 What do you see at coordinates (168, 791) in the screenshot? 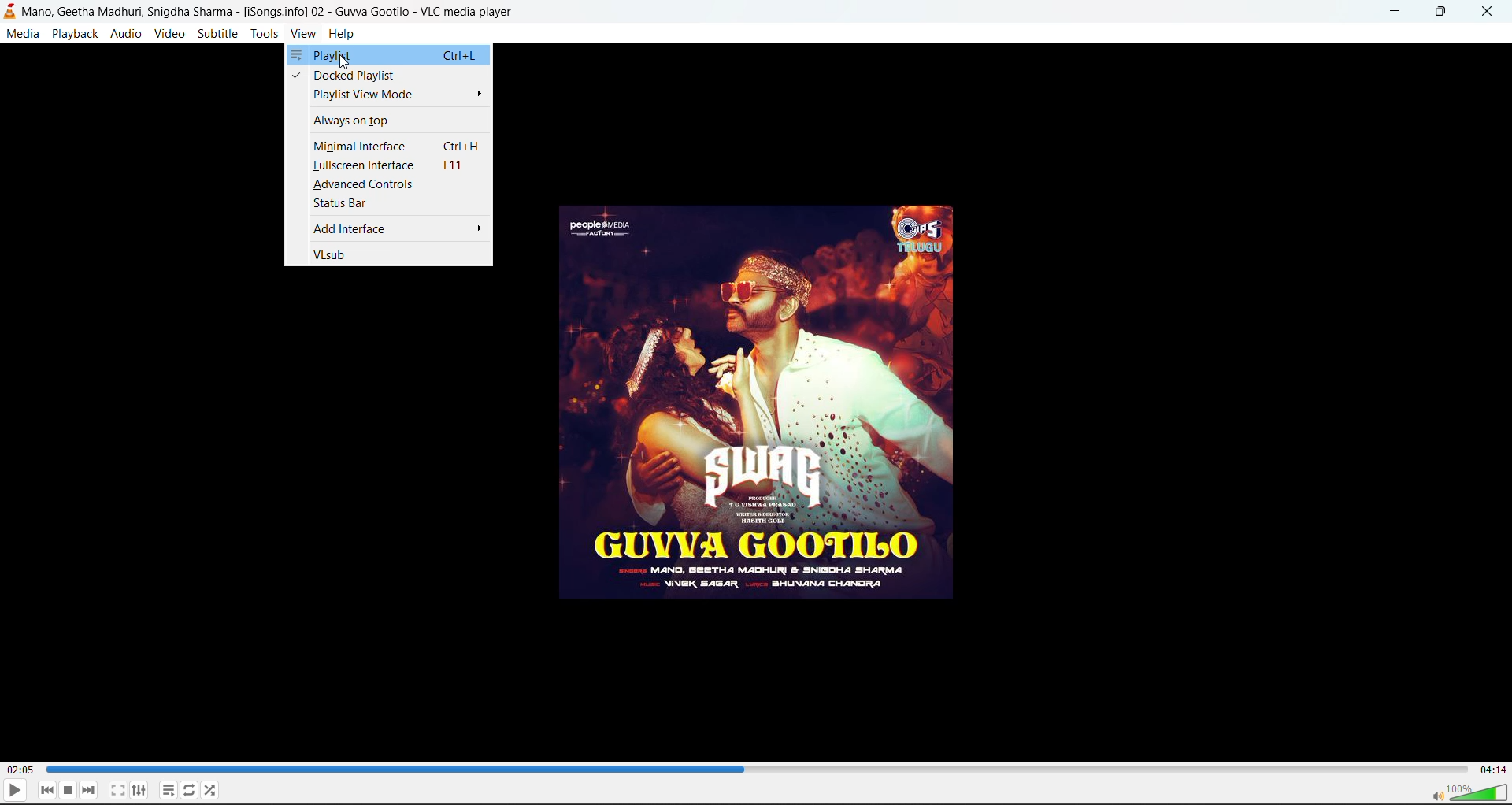
I see `toggle playlist` at bounding box center [168, 791].